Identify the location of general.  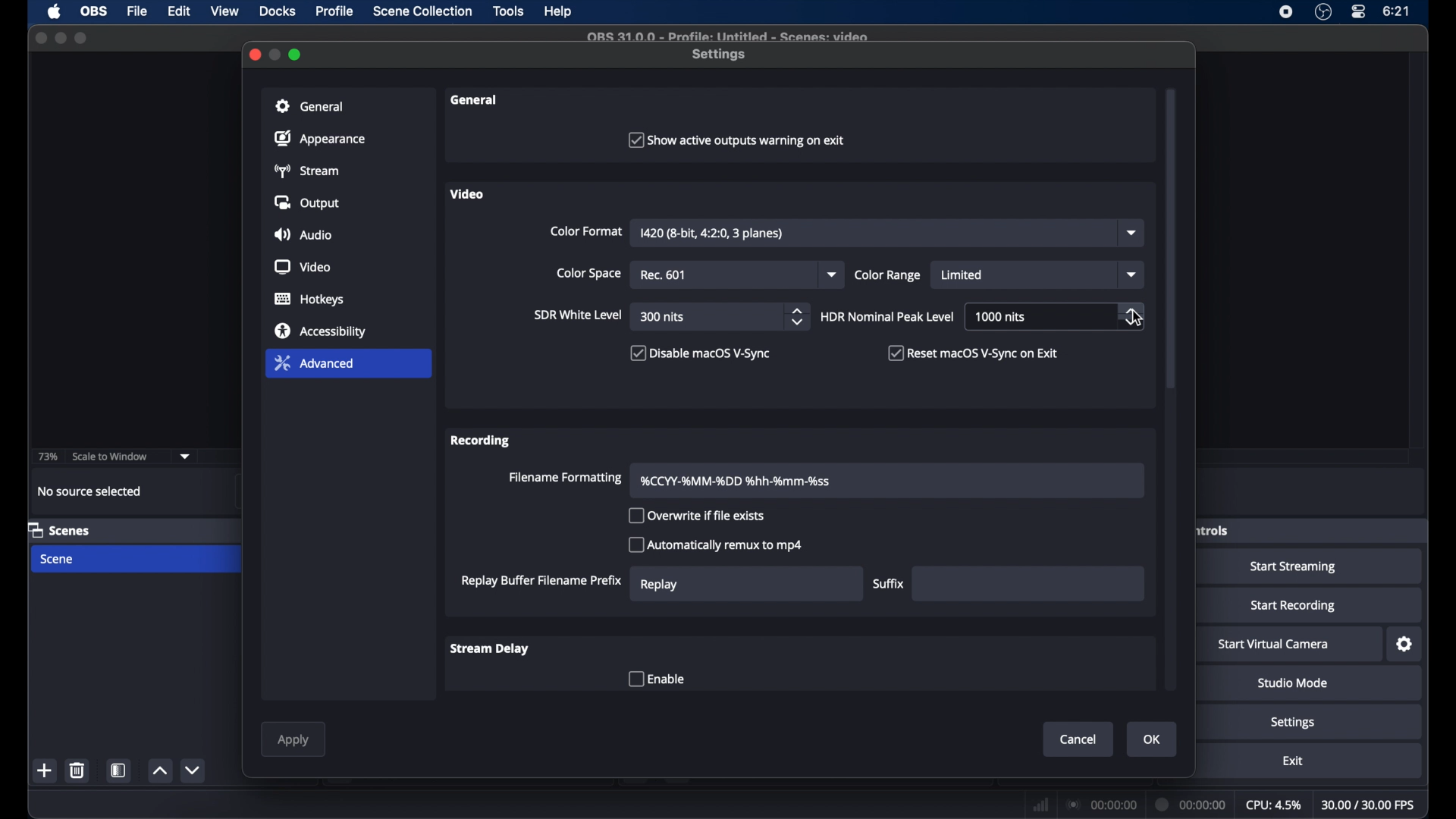
(310, 106).